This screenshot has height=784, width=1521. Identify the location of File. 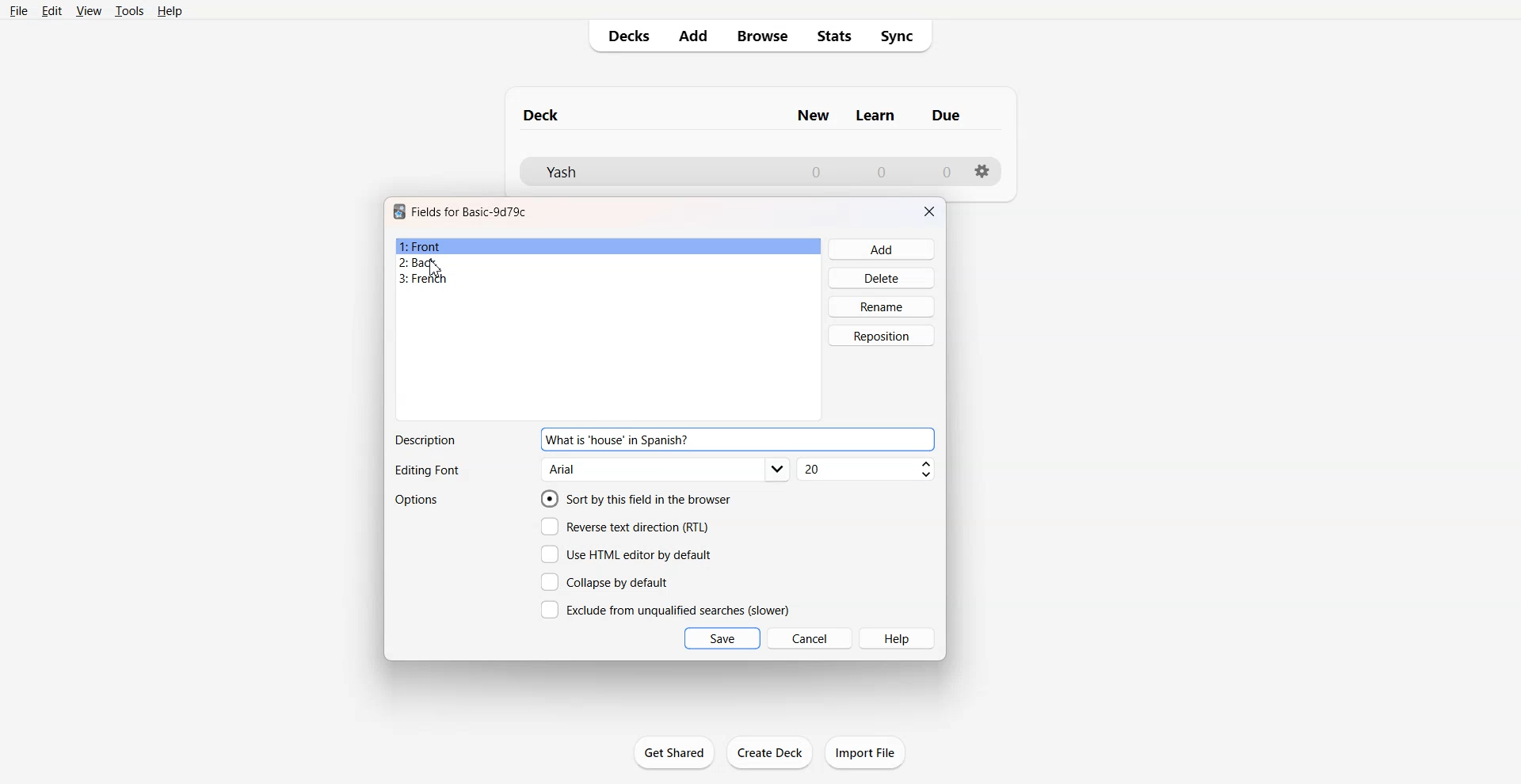
(17, 10).